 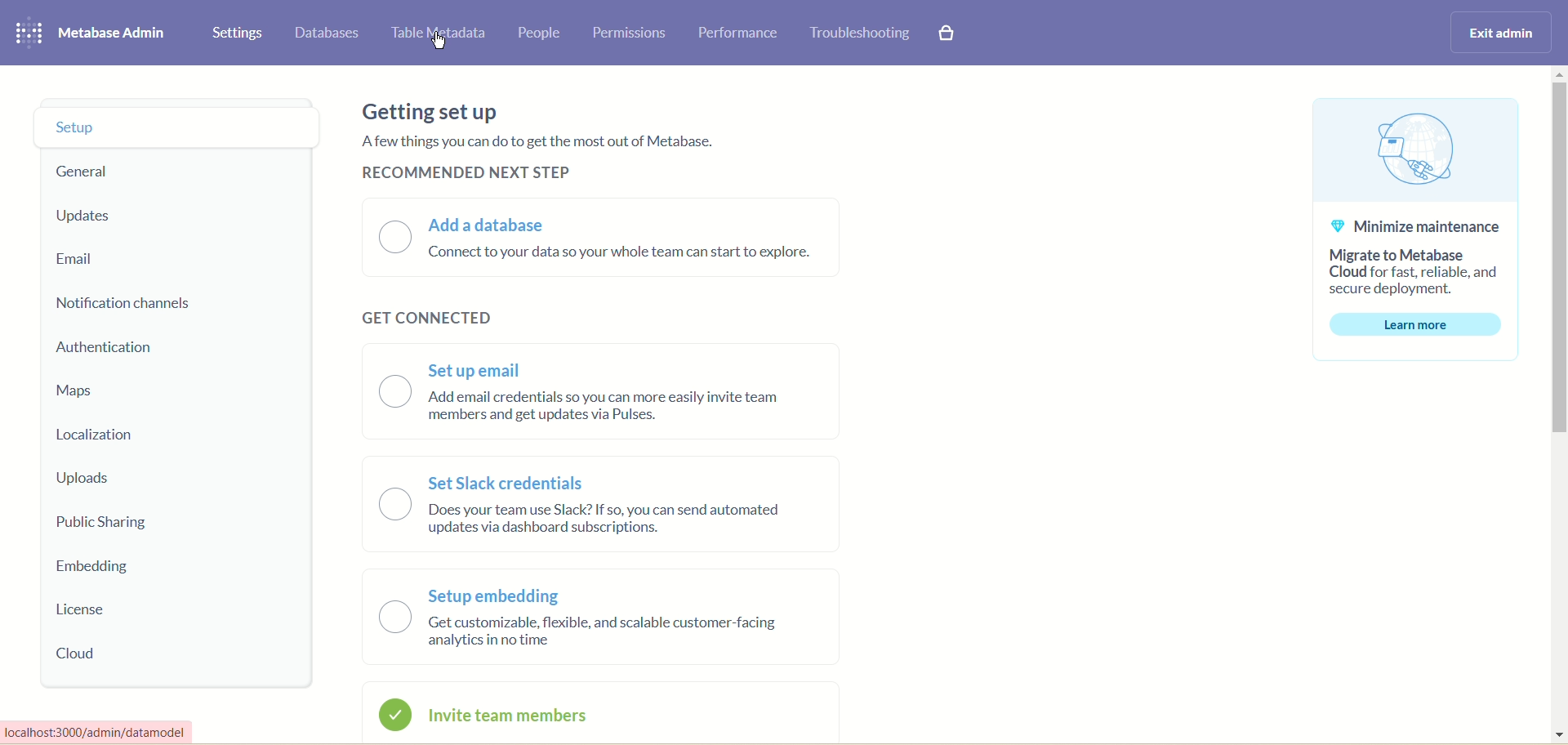 I want to click on authentication, so click(x=106, y=347).